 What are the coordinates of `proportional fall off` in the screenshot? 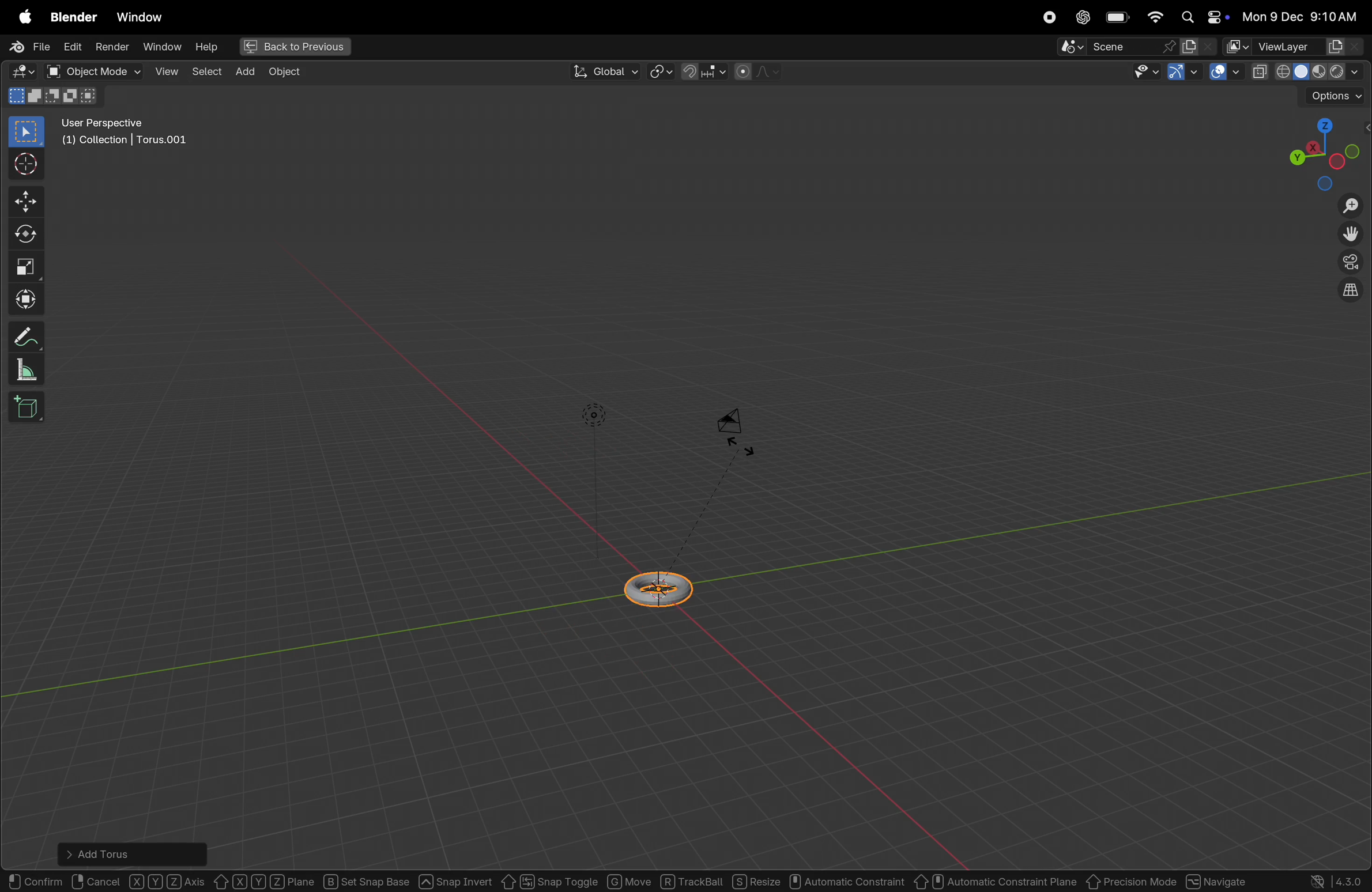 It's located at (756, 71).